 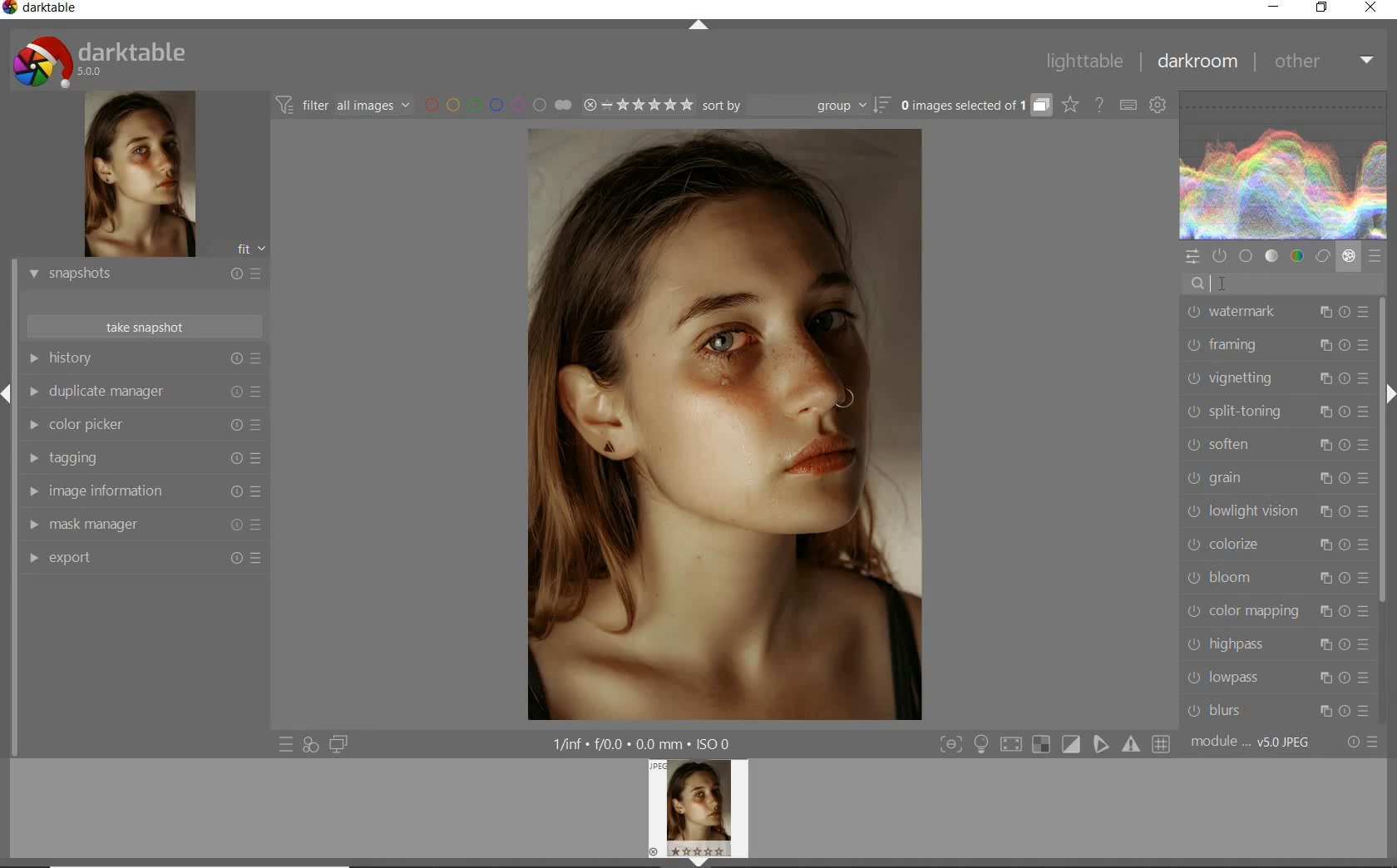 What do you see at coordinates (1276, 378) in the screenshot?
I see `vignetting` at bounding box center [1276, 378].